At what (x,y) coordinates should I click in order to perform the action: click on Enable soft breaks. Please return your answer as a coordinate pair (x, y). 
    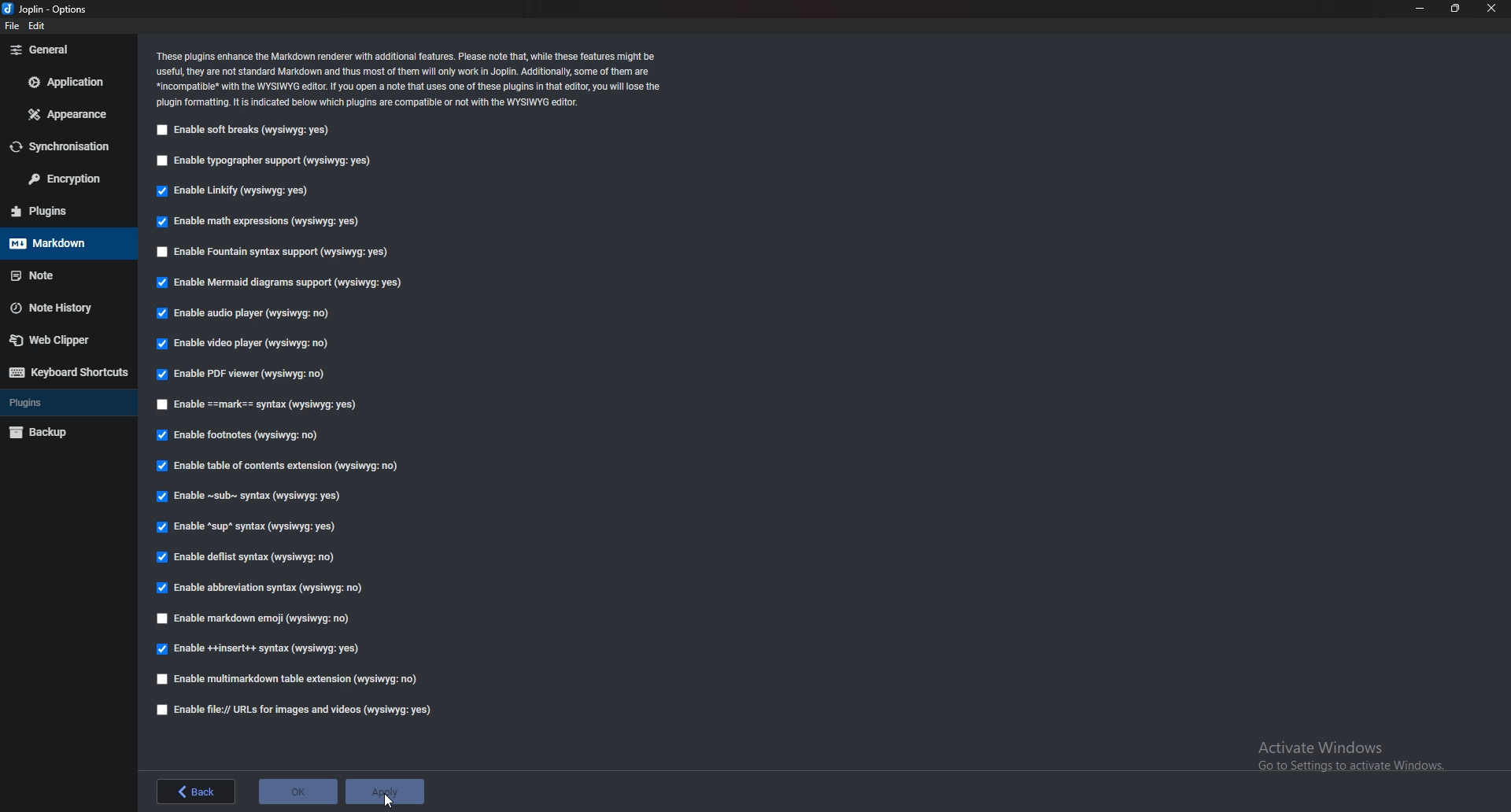
    Looking at the image, I should click on (240, 131).